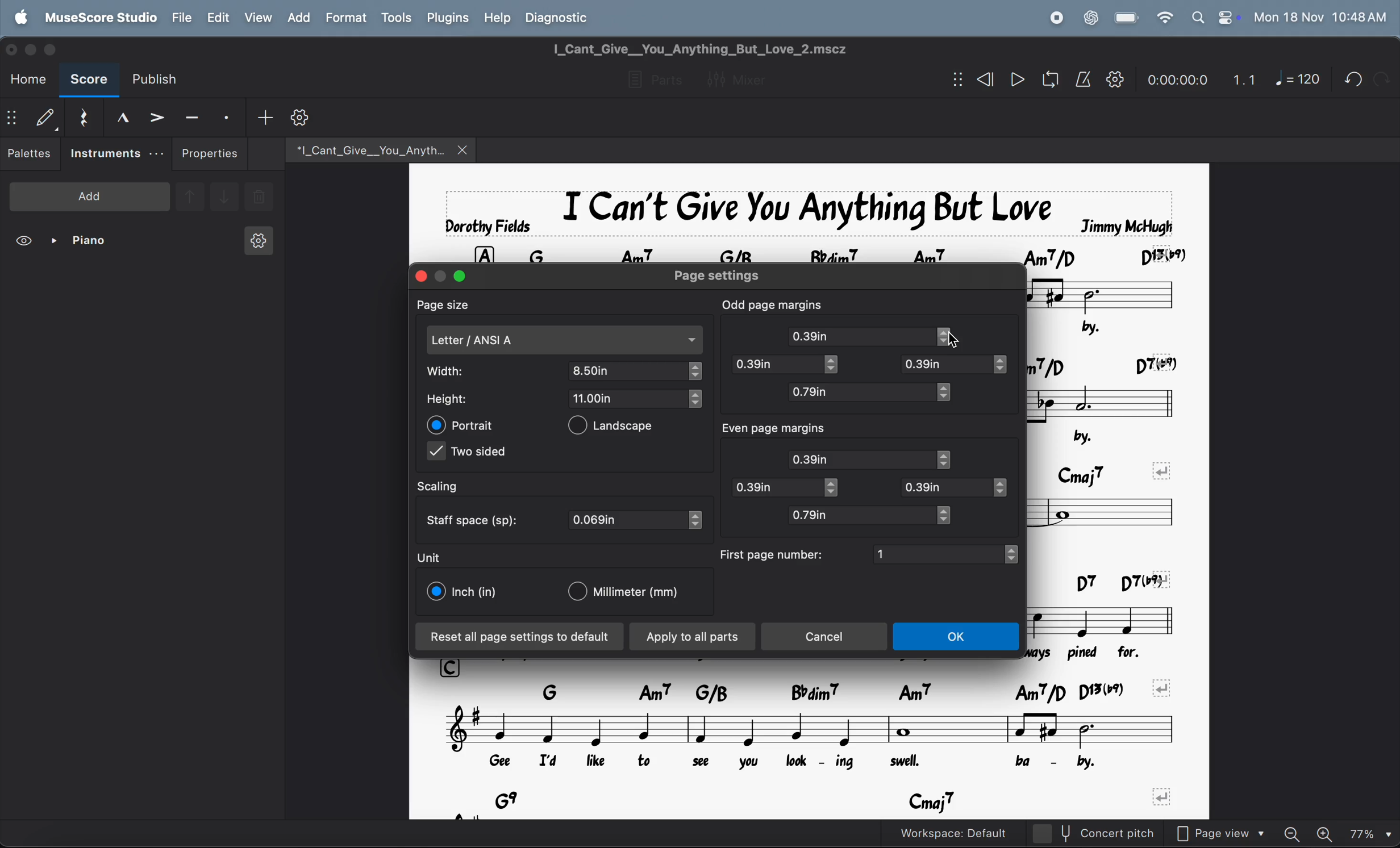 Image resolution: width=1400 pixels, height=848 pixels. What do you see at coordinates (1174, 77) in the screenshot?
I see `time frame` at bounding box center [1174, 77].